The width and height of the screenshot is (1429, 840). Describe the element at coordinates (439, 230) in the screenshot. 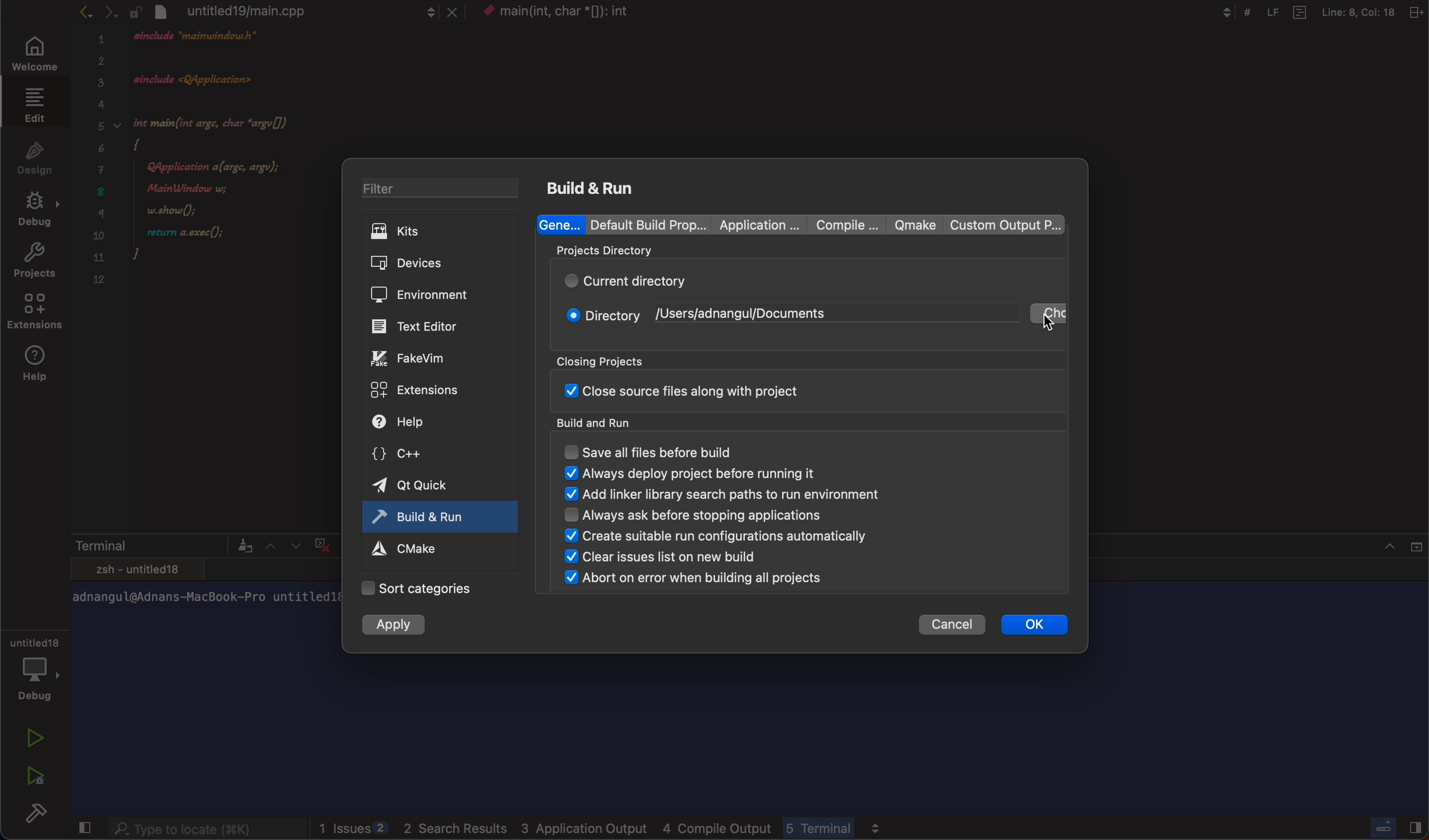

I see `kits` at that location.